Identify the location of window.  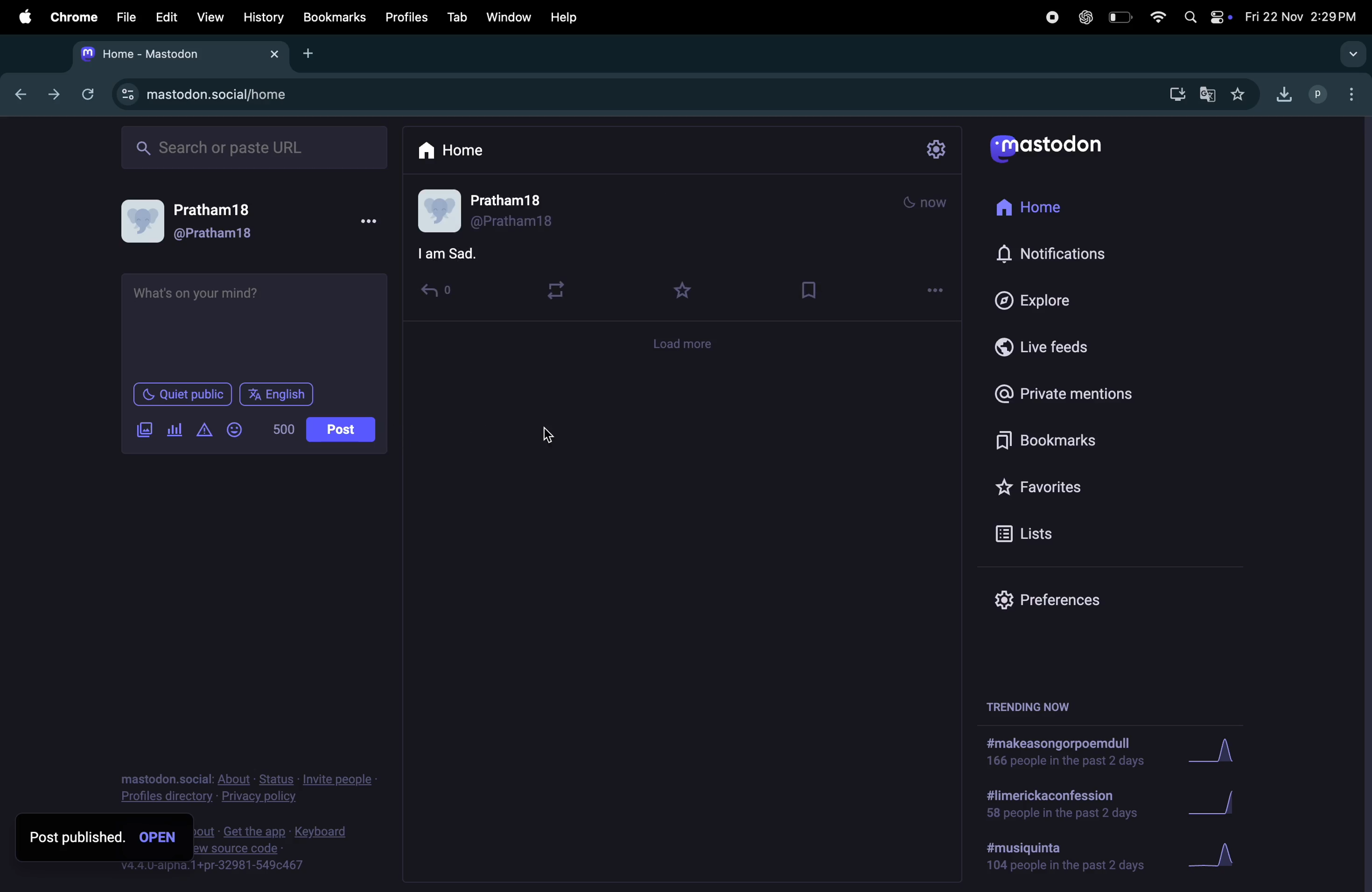
(507, 16).